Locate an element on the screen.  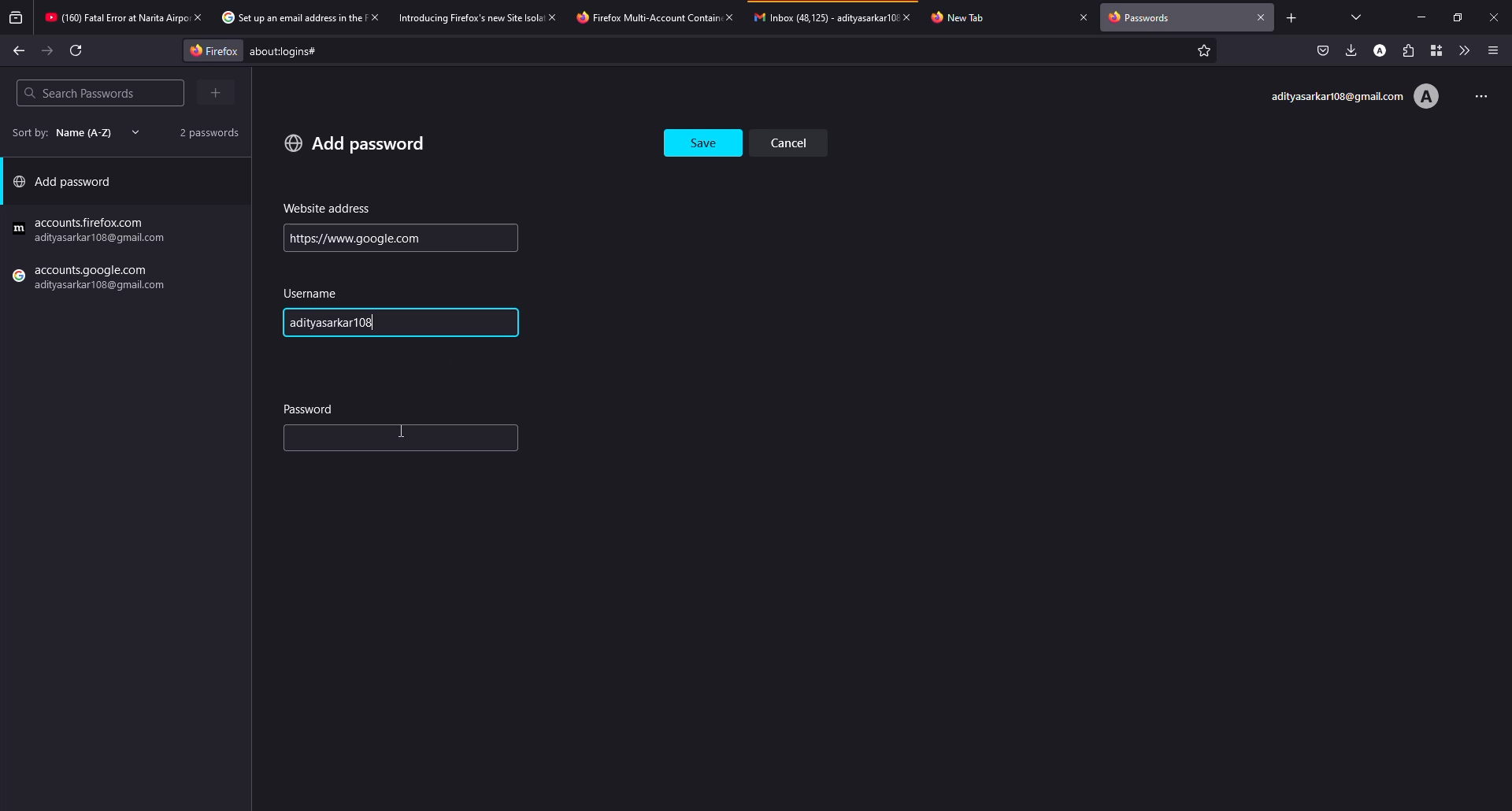
cursor is located at coordinates (406, 429).